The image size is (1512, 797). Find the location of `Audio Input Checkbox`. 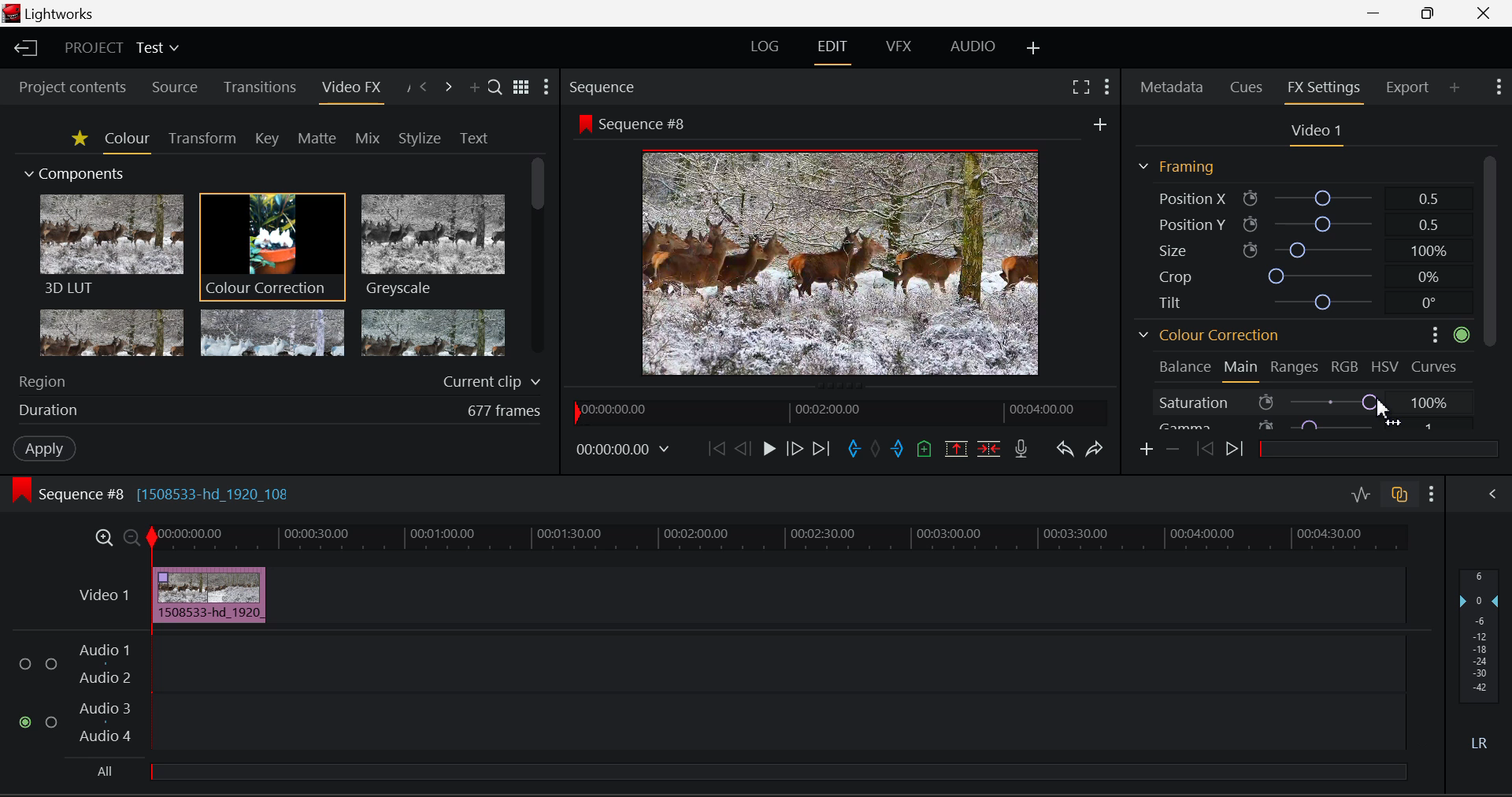

Audio Input Checkbox is located at coordinates (24, 721).